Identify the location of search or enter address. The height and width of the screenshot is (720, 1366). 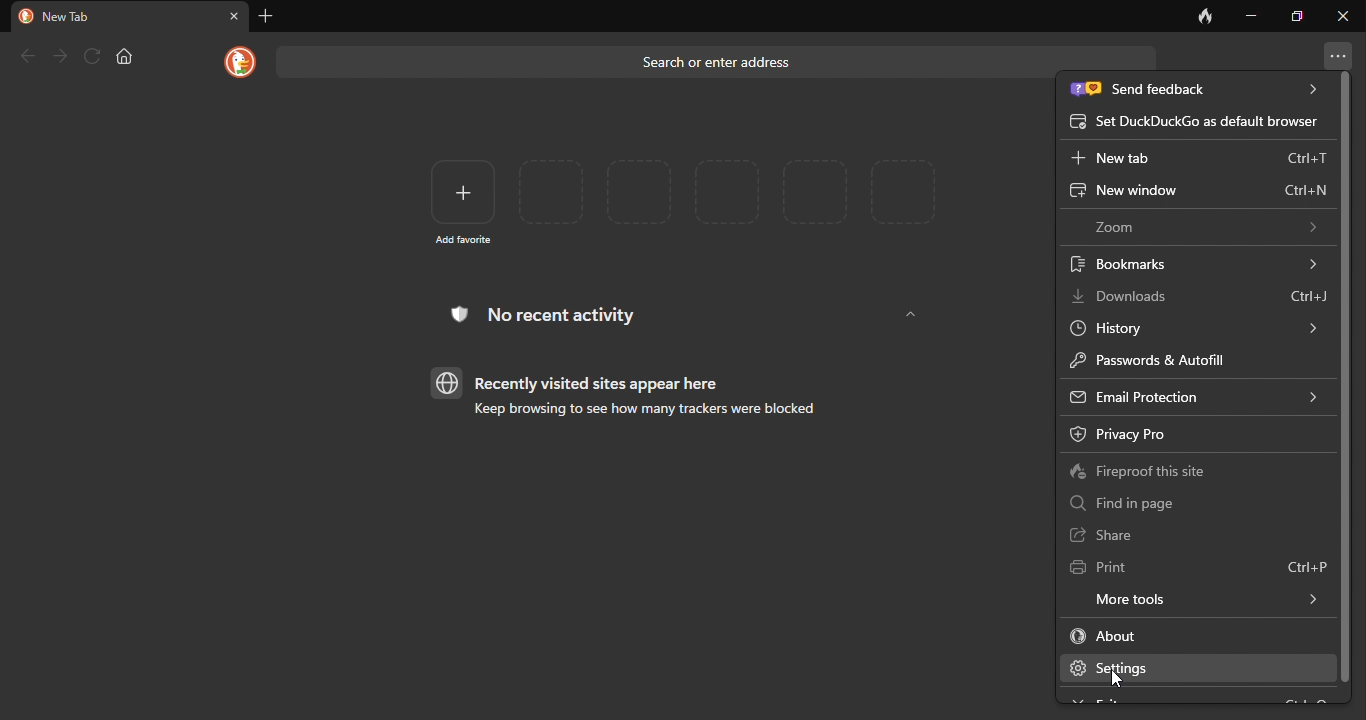
(659, 60).